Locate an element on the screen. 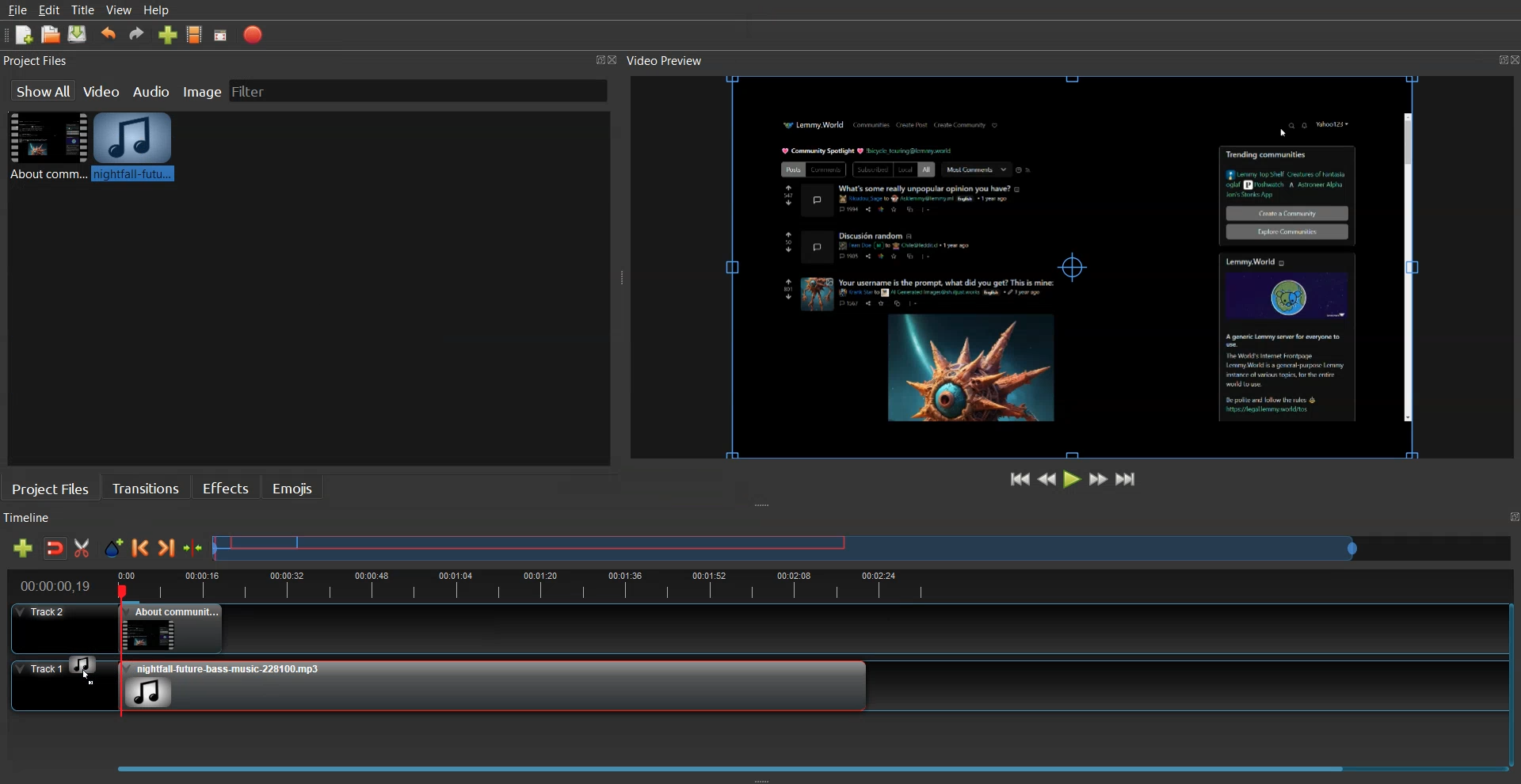 This screenshot has height=784, width=1521. Play is located at coordinates (1073, 478).